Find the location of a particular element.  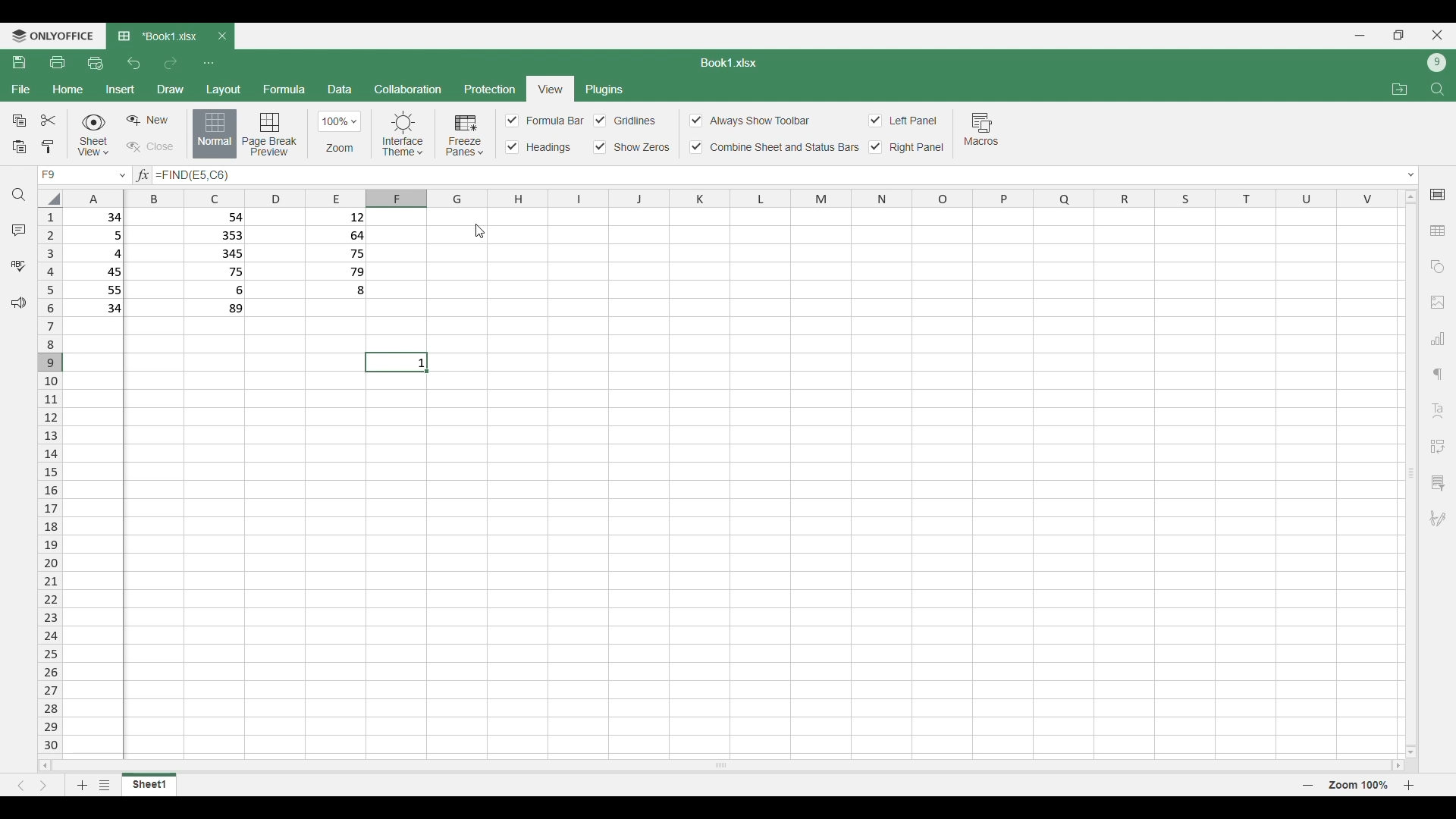

Collaboration menu is located at coordinates (407, 89).